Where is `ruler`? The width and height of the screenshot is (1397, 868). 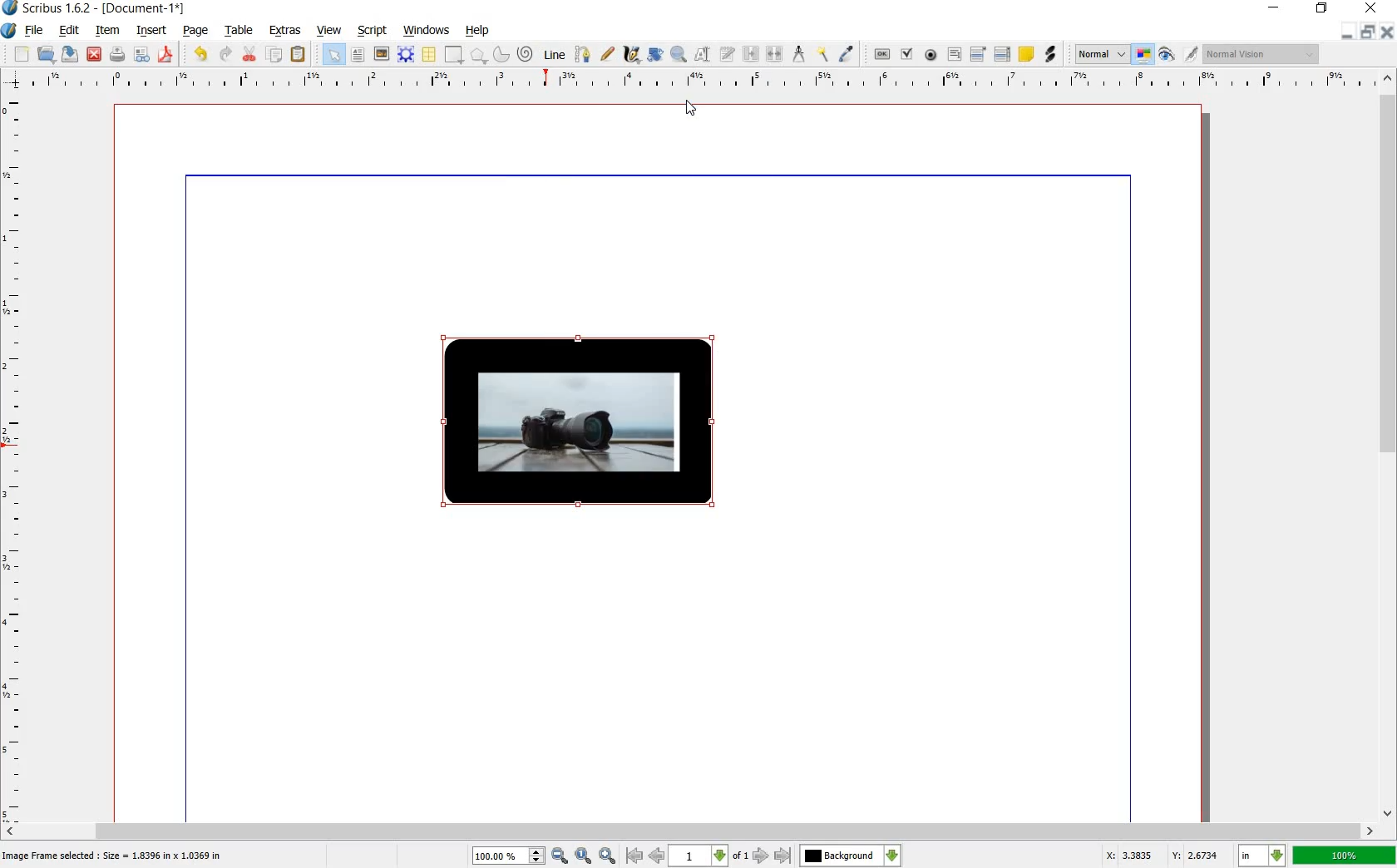
ruler is located at coordinates (700, 81).